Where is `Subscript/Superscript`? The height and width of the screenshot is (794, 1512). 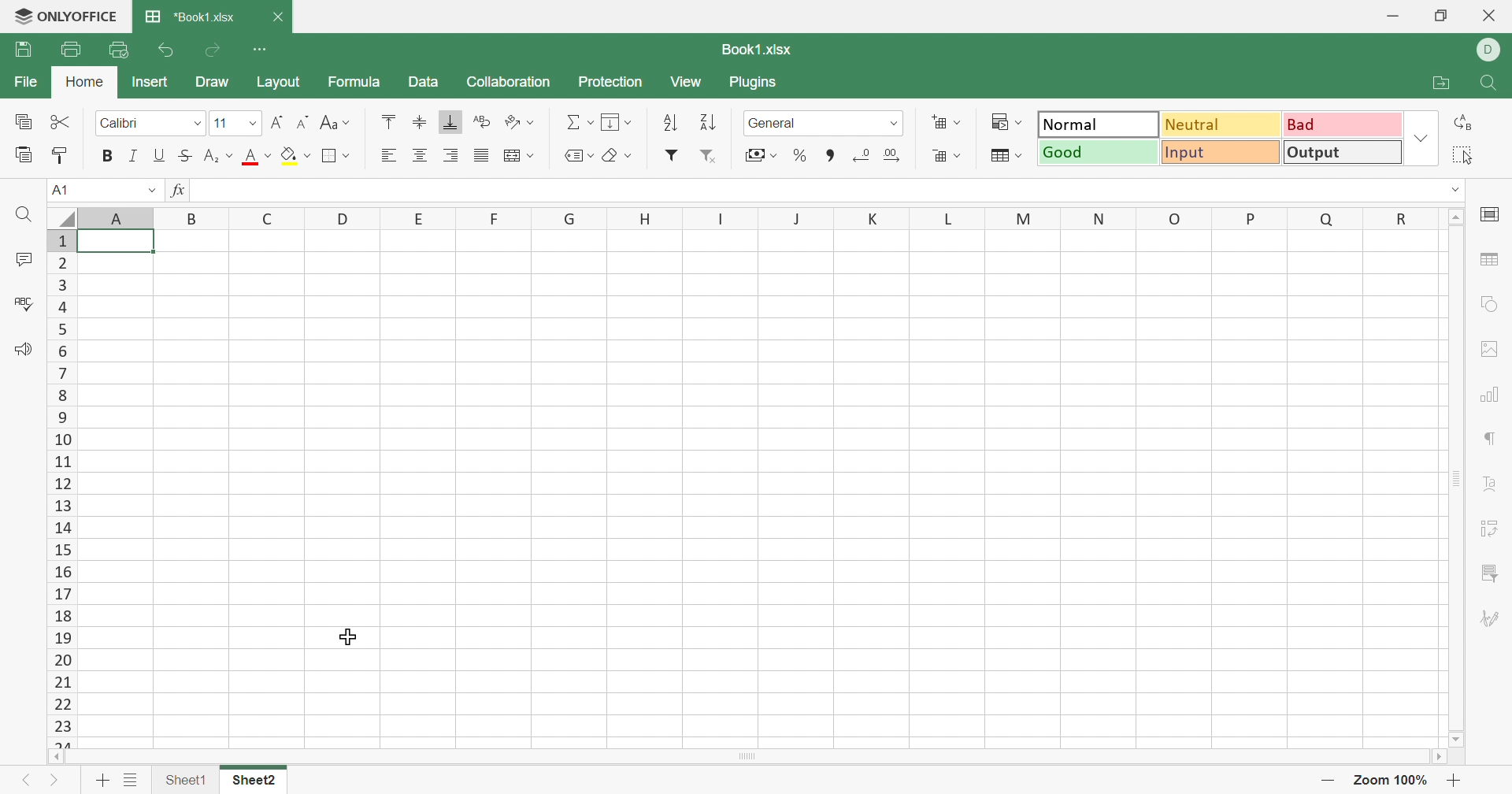 Subscript/Superscript is located at coordinates (209, 154).